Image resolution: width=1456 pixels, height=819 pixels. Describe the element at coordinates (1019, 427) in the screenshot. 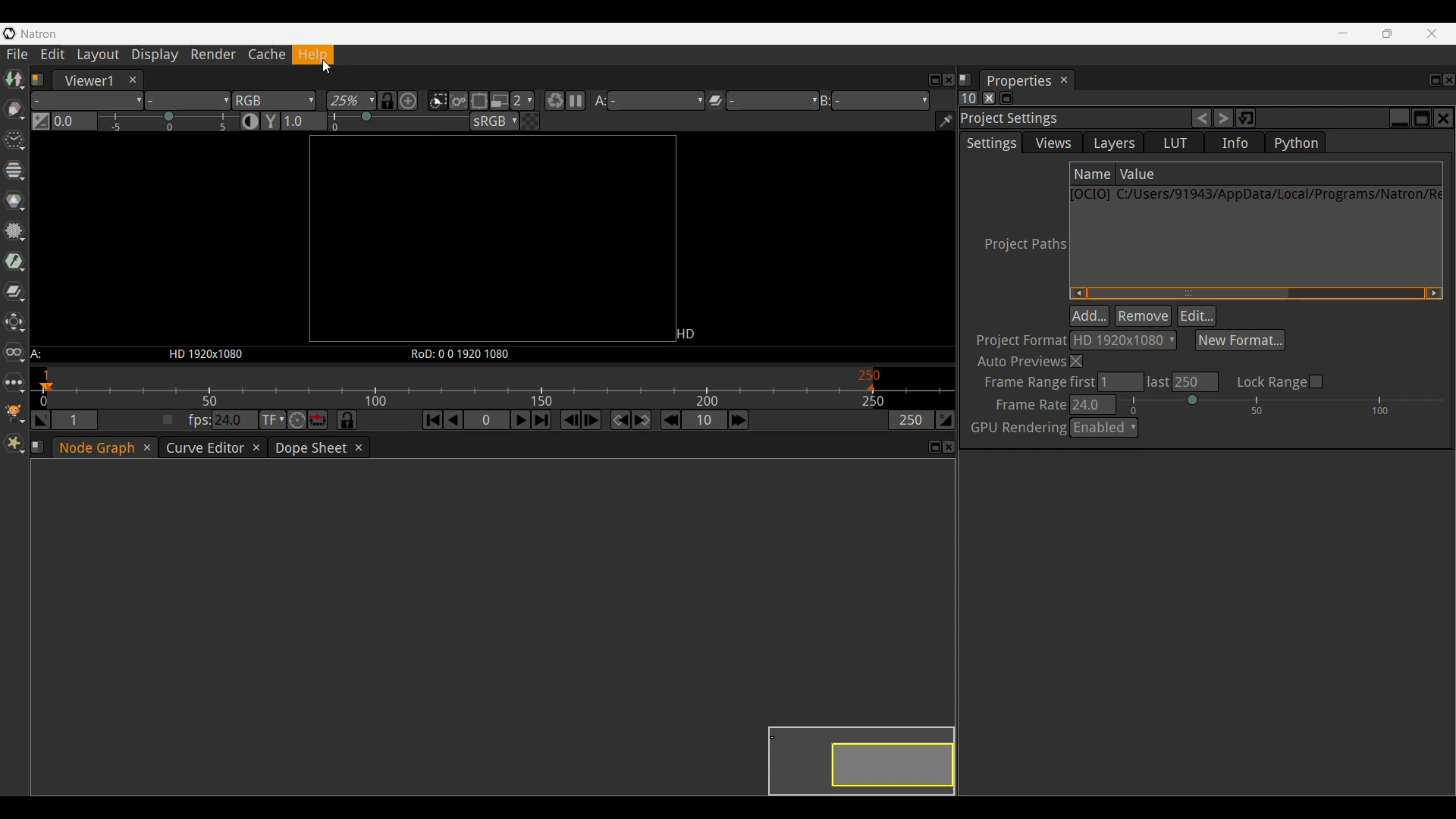

I see `GPU rendering` at that location.